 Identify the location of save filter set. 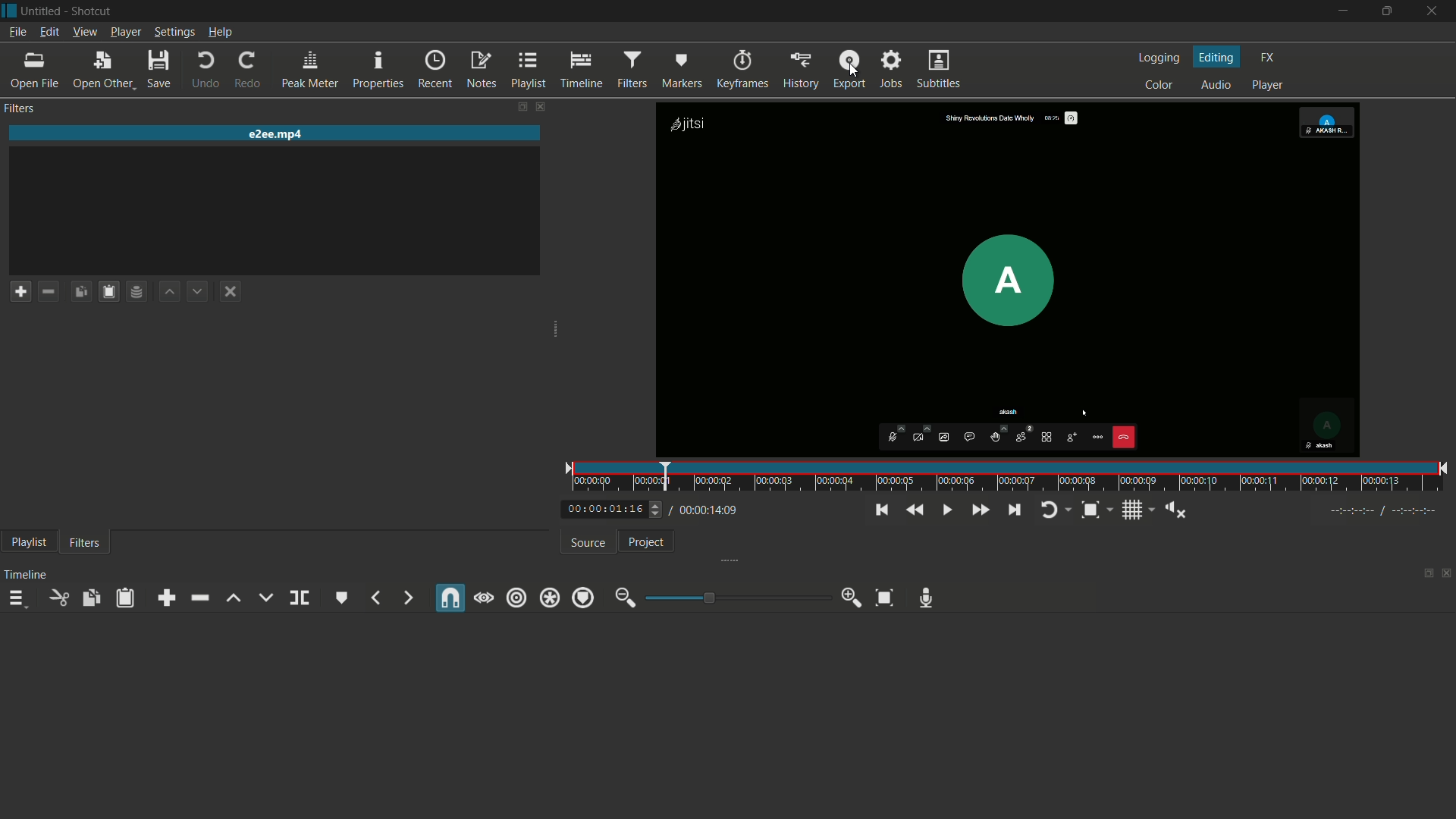
(138, 291).